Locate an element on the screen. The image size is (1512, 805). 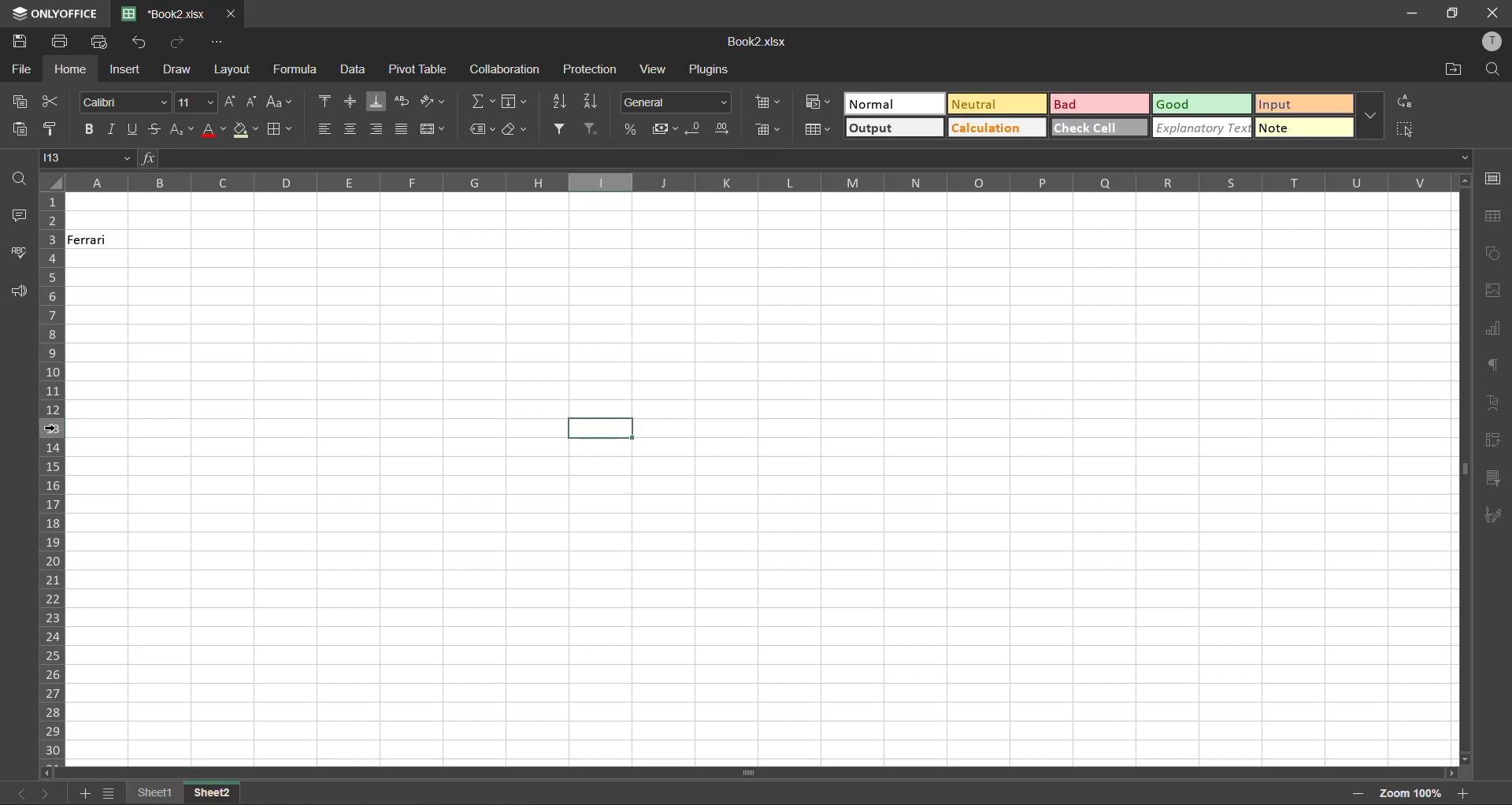
zoom out is located at coordinates (1352, 792).